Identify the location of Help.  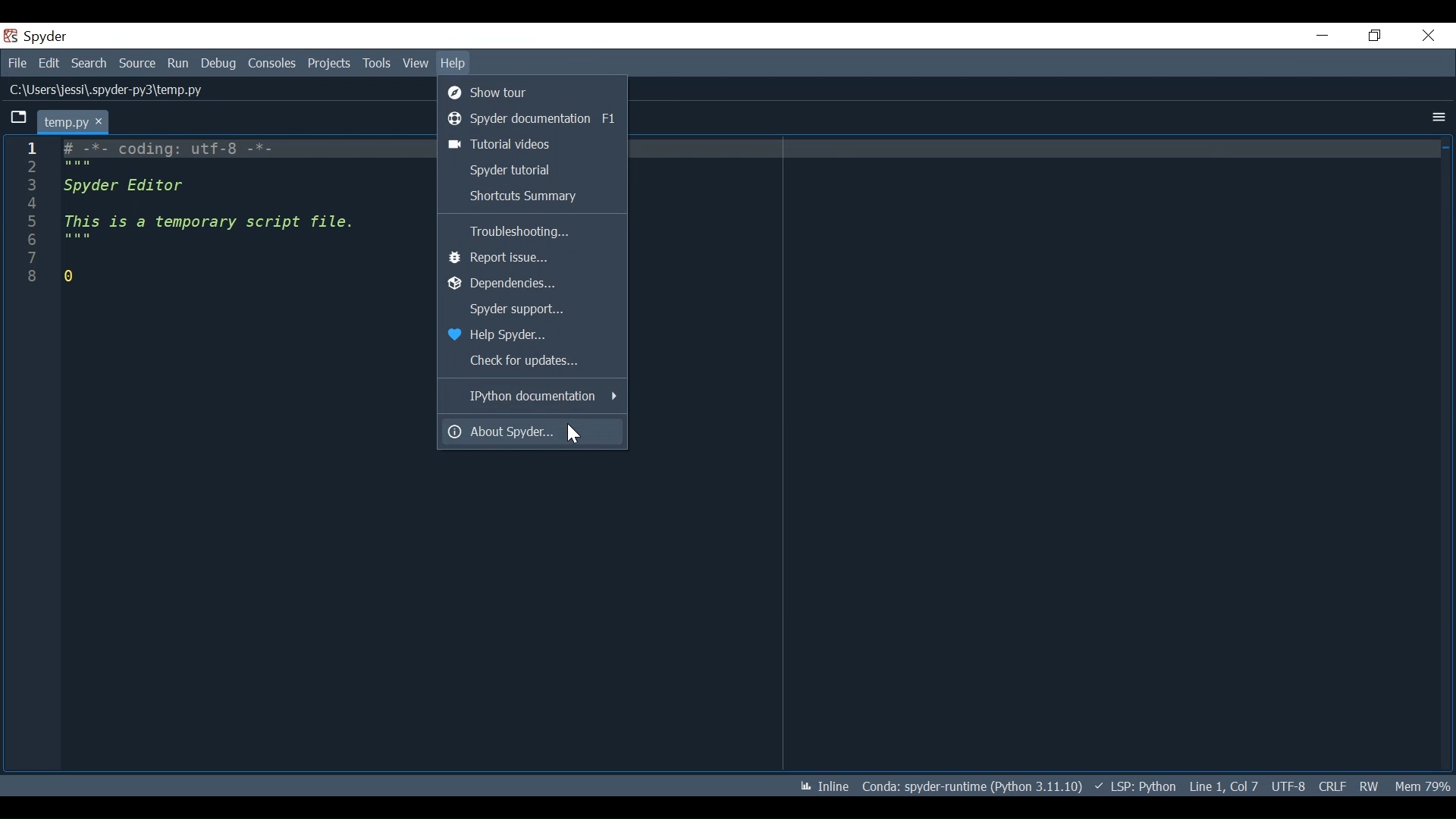
(454, 64).